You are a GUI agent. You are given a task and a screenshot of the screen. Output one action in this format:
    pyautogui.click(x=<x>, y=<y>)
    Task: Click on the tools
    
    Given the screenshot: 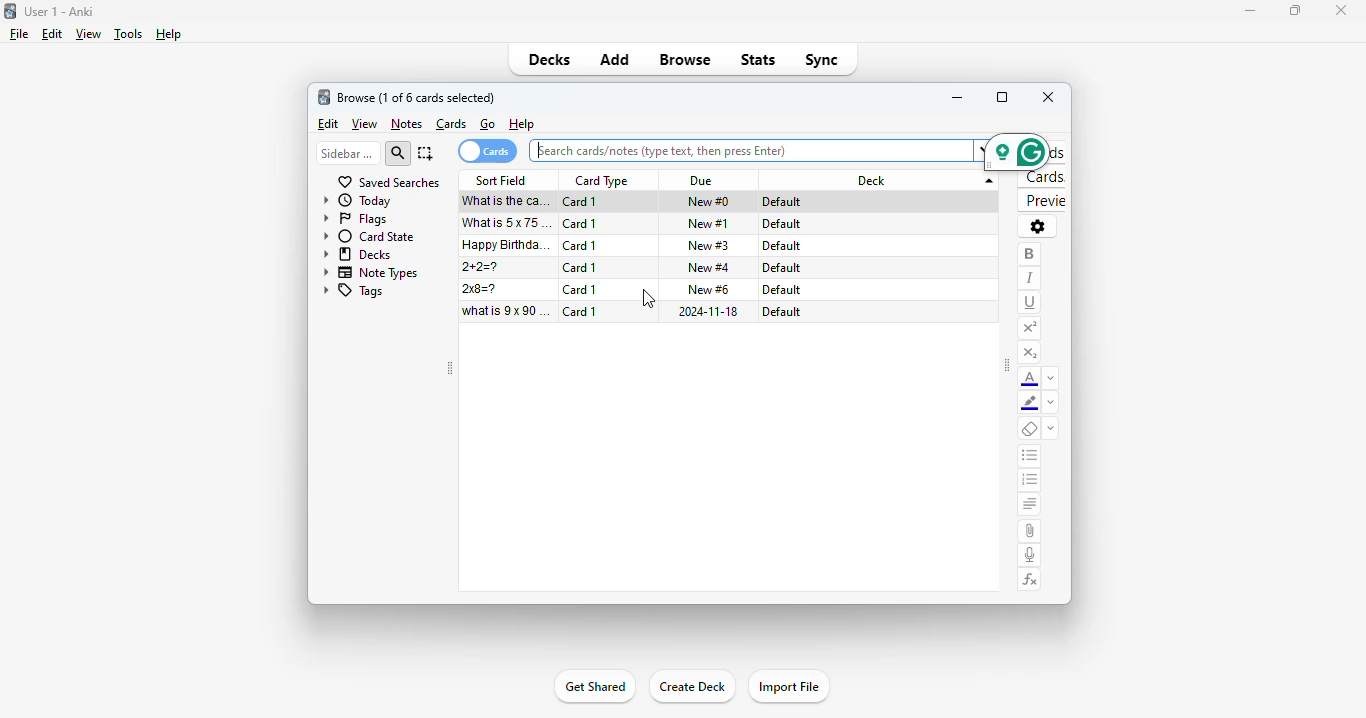 What is the action you would take?
    pyautogui.click(x=127, y=35)
    